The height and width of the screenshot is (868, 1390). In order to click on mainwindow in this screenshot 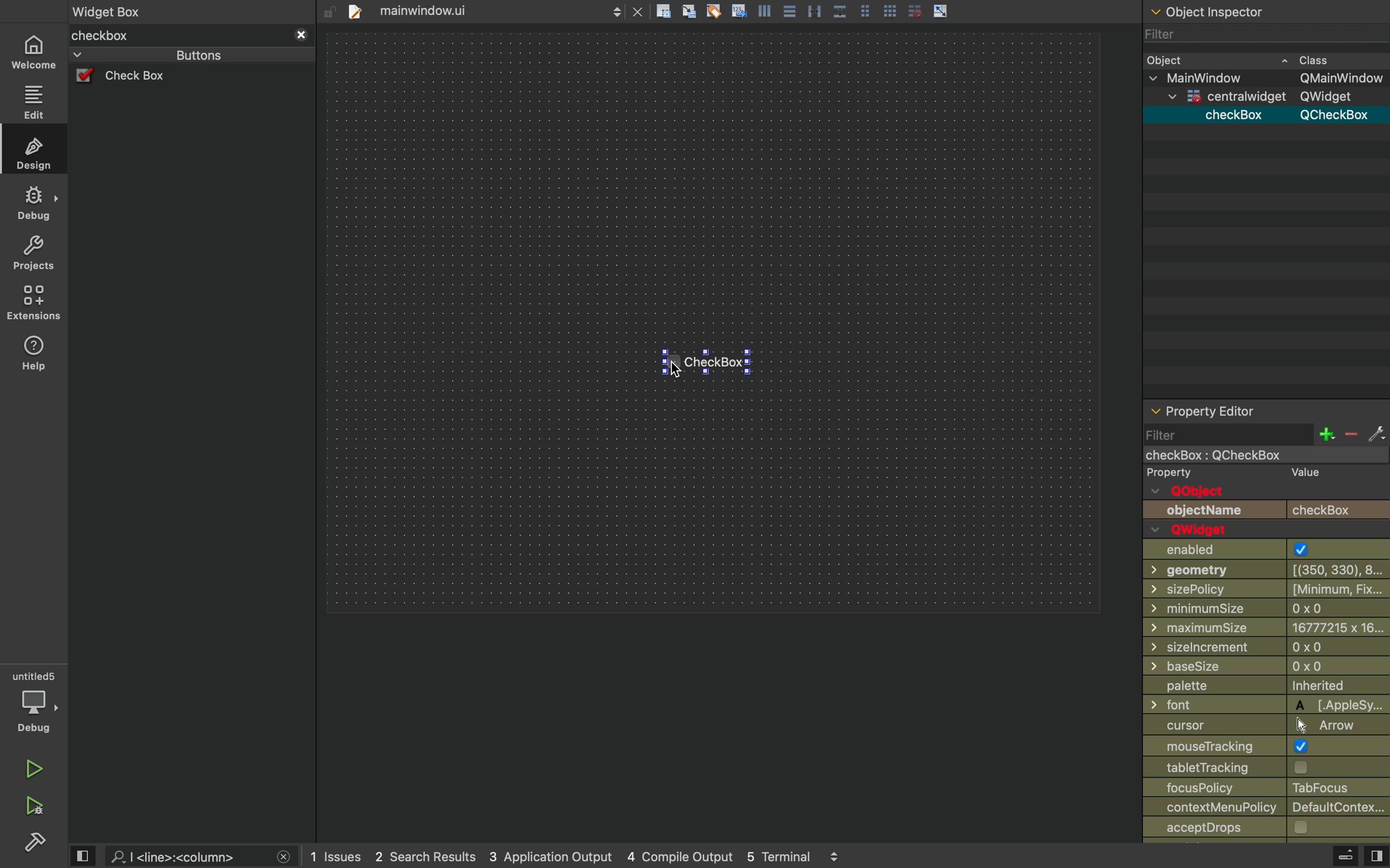, I will do `click(1266, 78)`.